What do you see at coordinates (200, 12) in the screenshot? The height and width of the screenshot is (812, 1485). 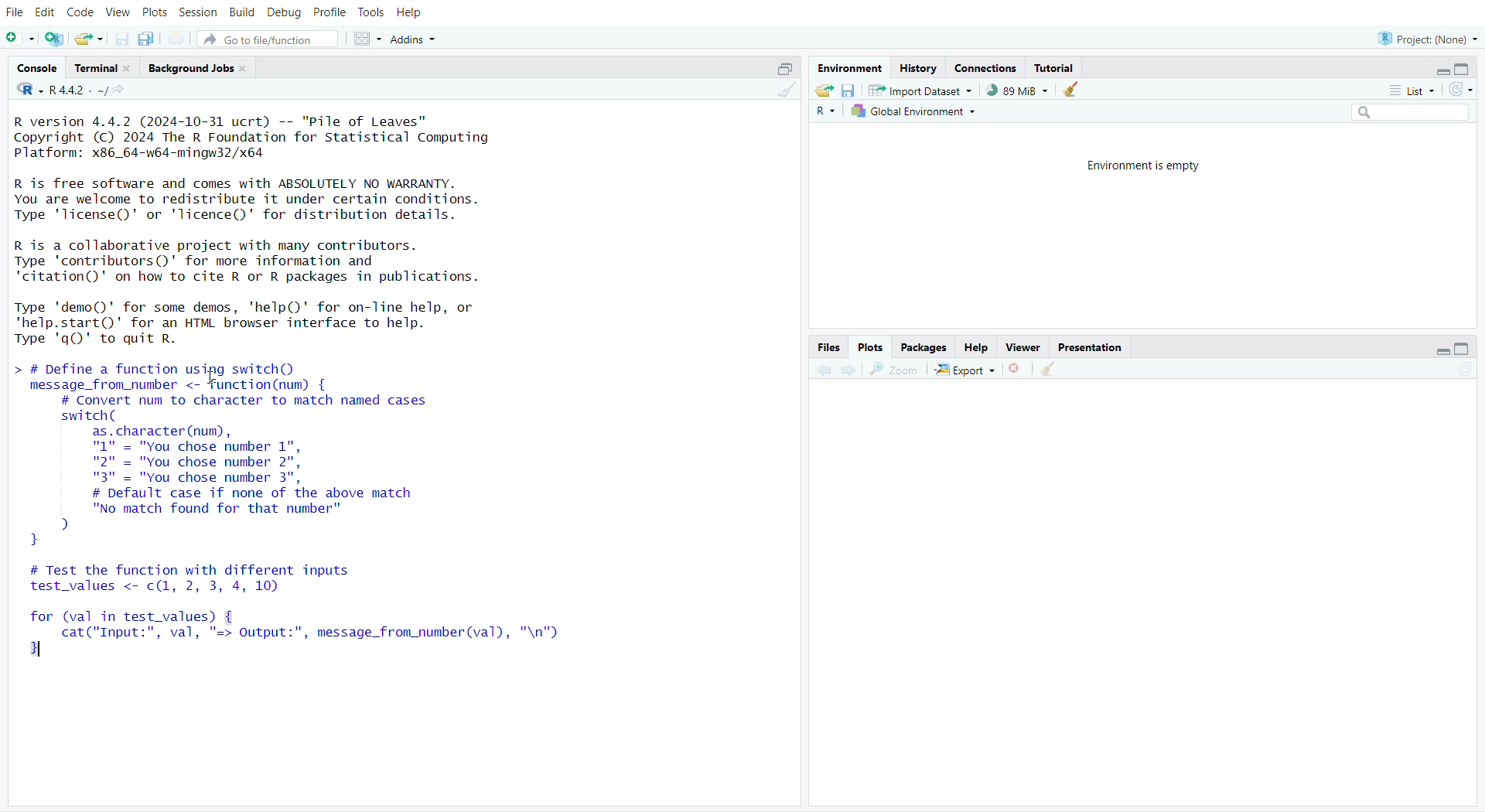 I see `Session` at bounding box center [200, 12].